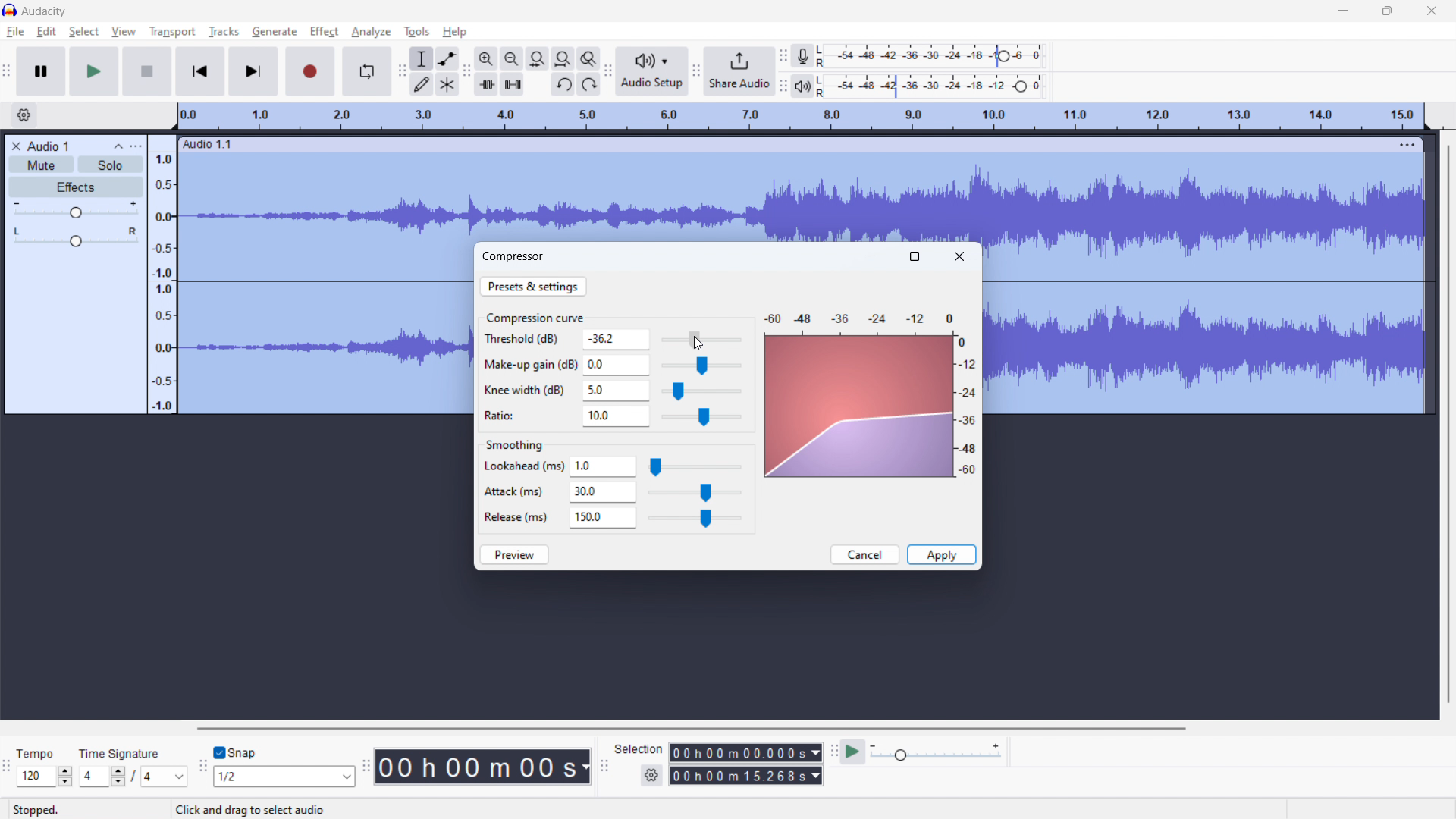  I want to click on playback meter, so click(809, 86).